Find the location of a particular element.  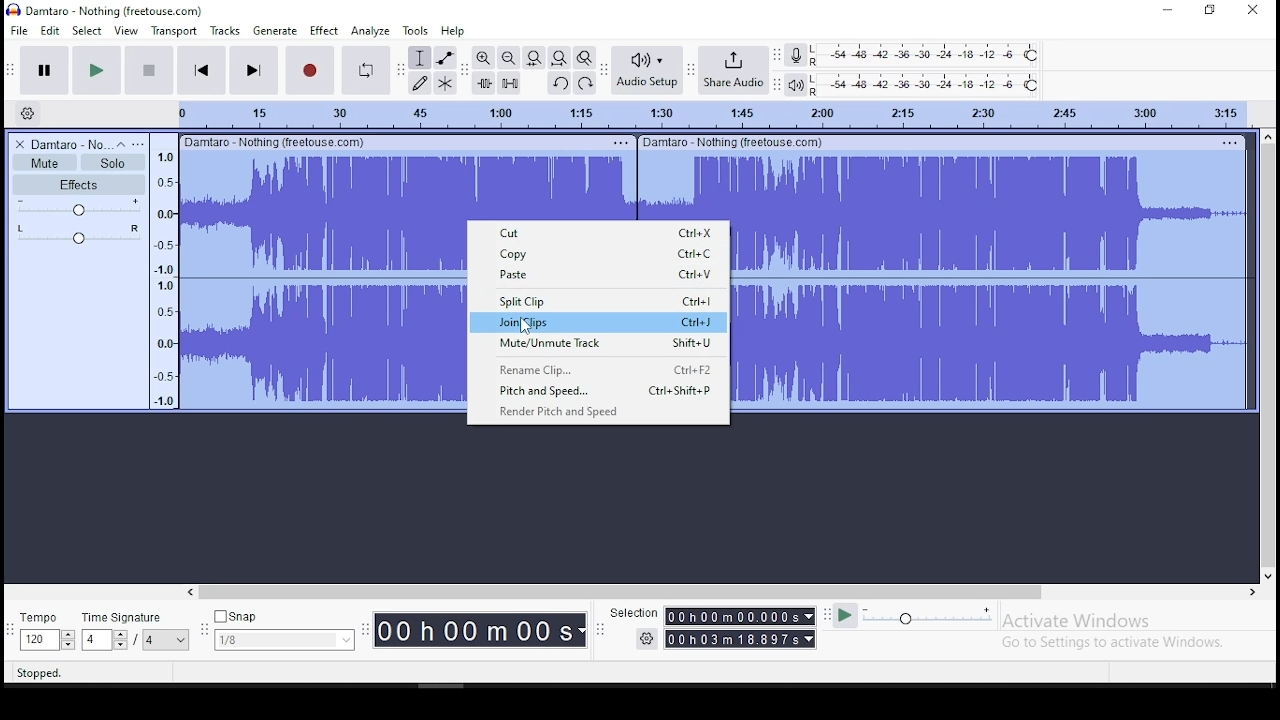

tools is located at coordinates (413, 30).